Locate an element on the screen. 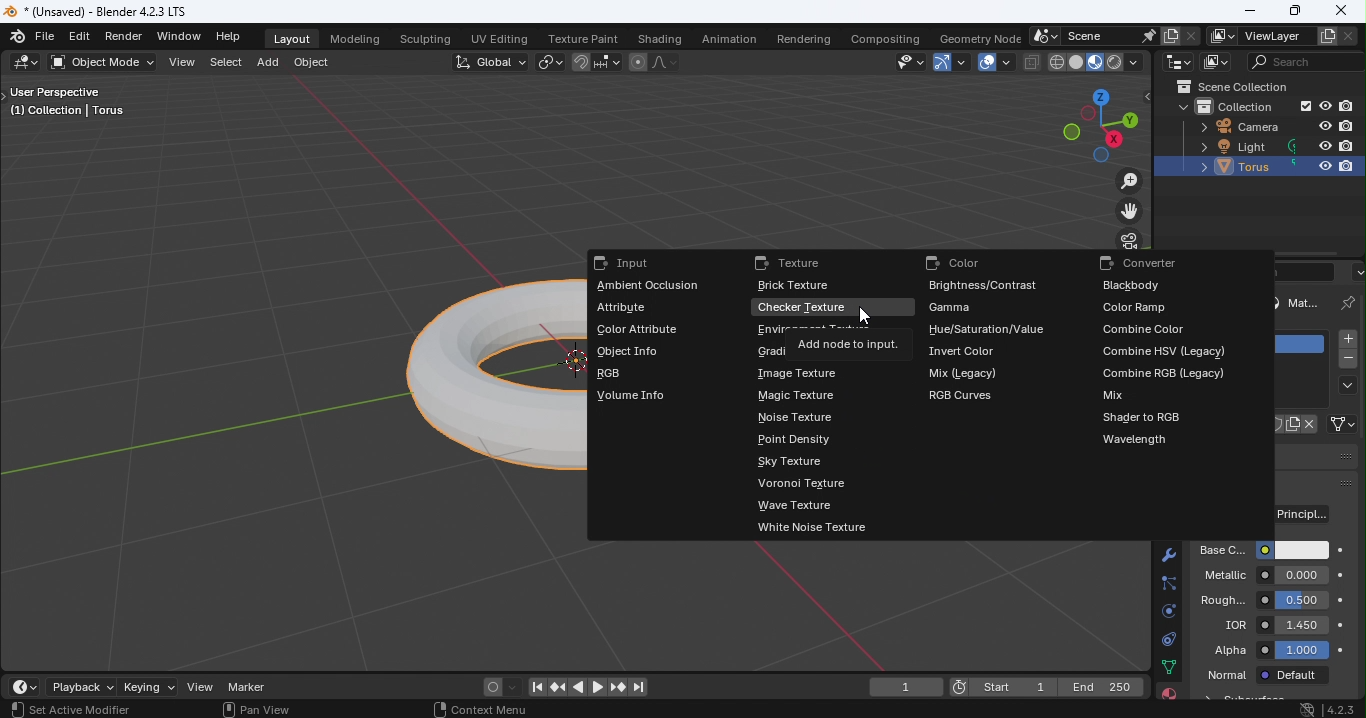 This screenshot has height=718, width=1366. Texture paint is located at coordinates (584, 37).